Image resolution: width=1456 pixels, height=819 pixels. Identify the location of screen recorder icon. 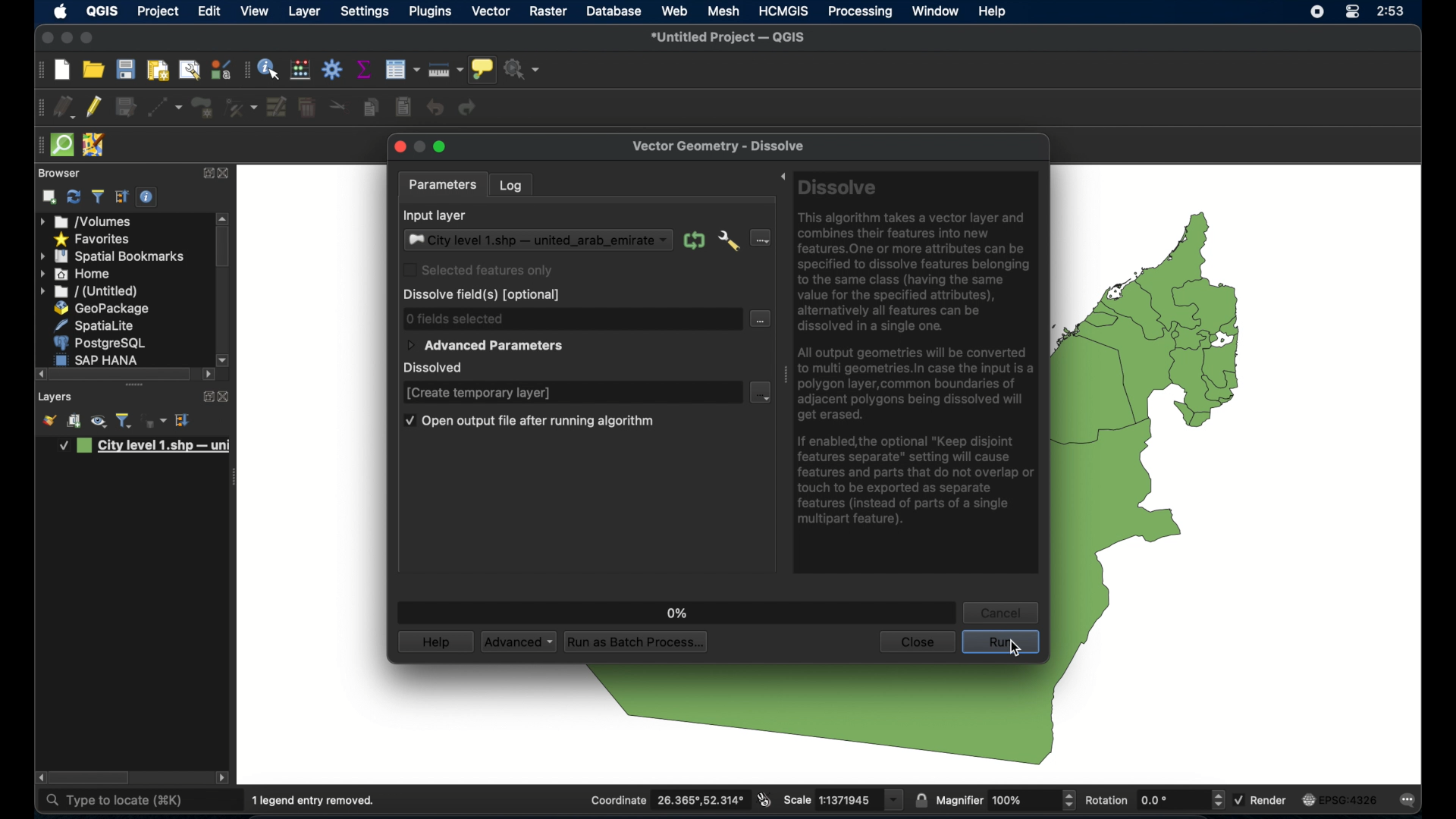
(1316, 13).